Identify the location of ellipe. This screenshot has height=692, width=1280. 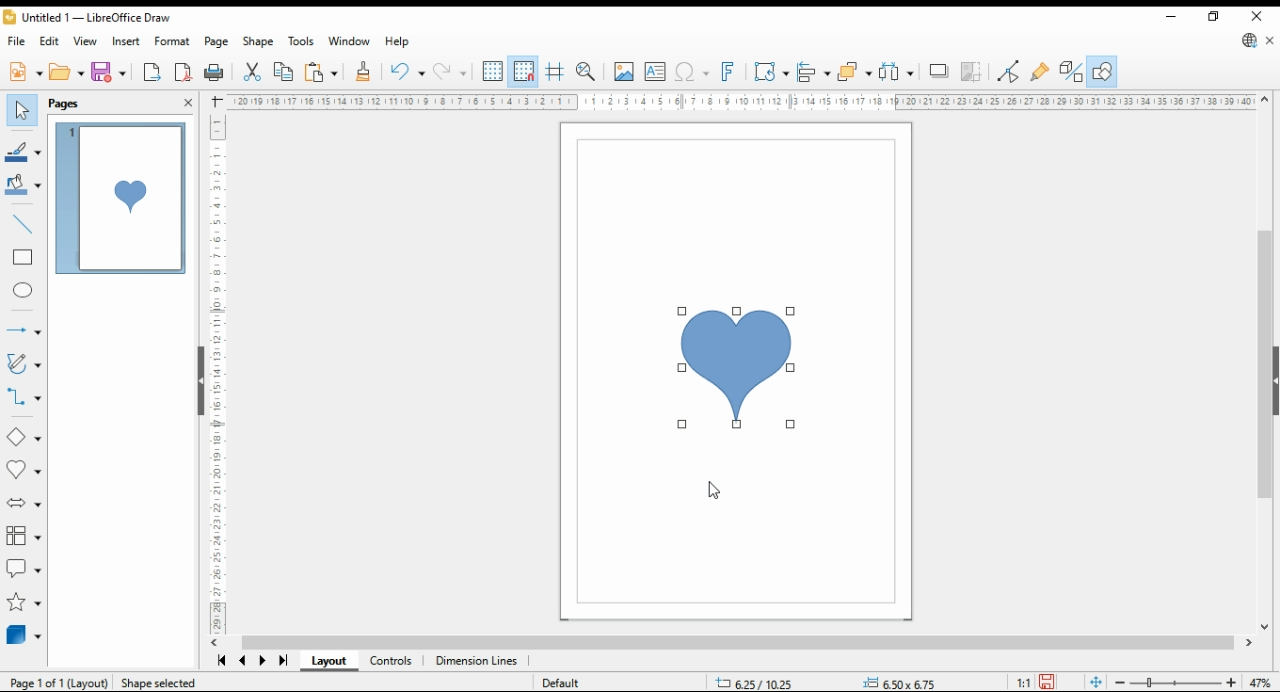
(24, 291).